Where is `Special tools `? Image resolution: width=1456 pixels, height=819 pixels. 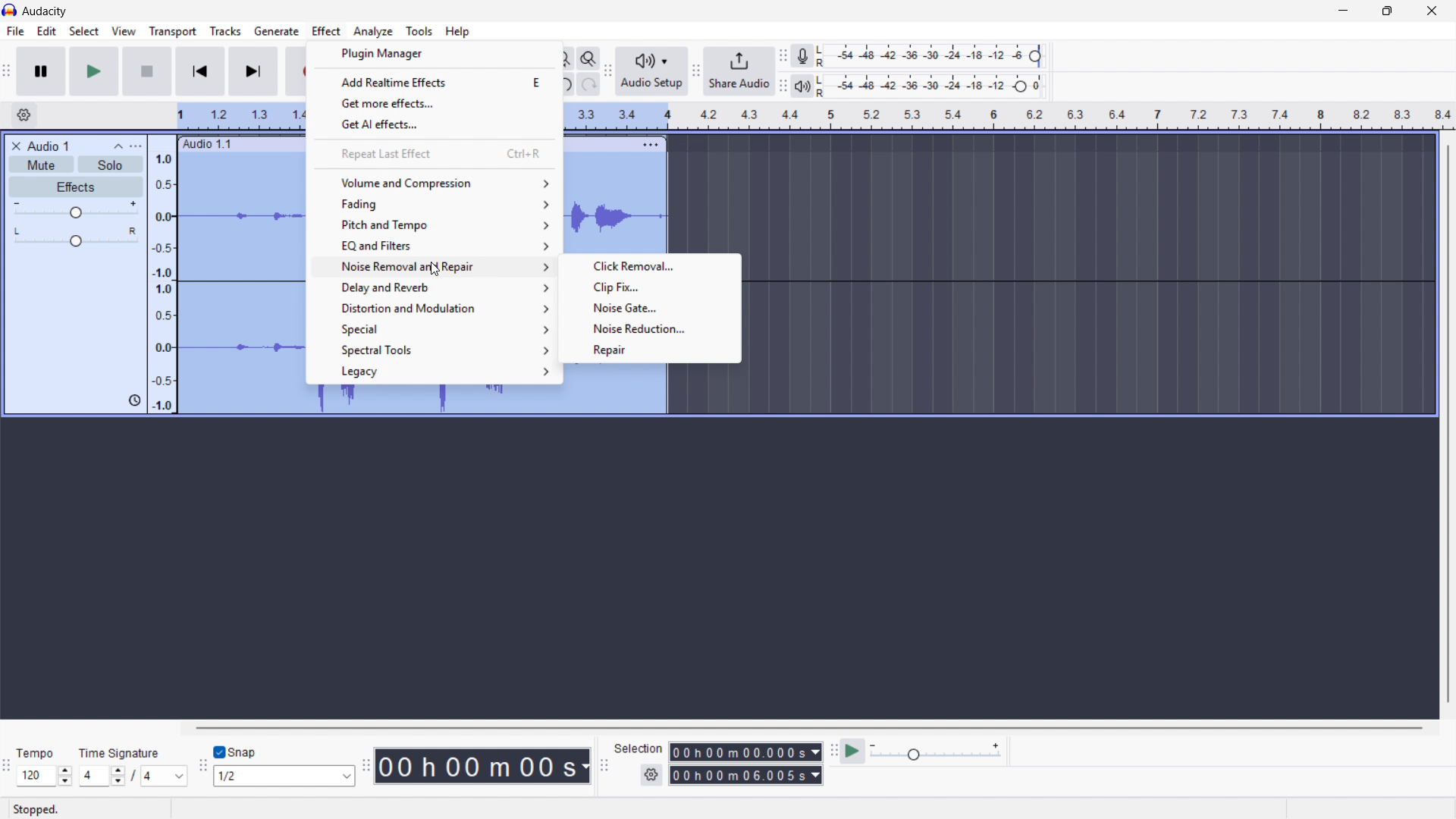
Special tools  is located at coordinates (431, 350).